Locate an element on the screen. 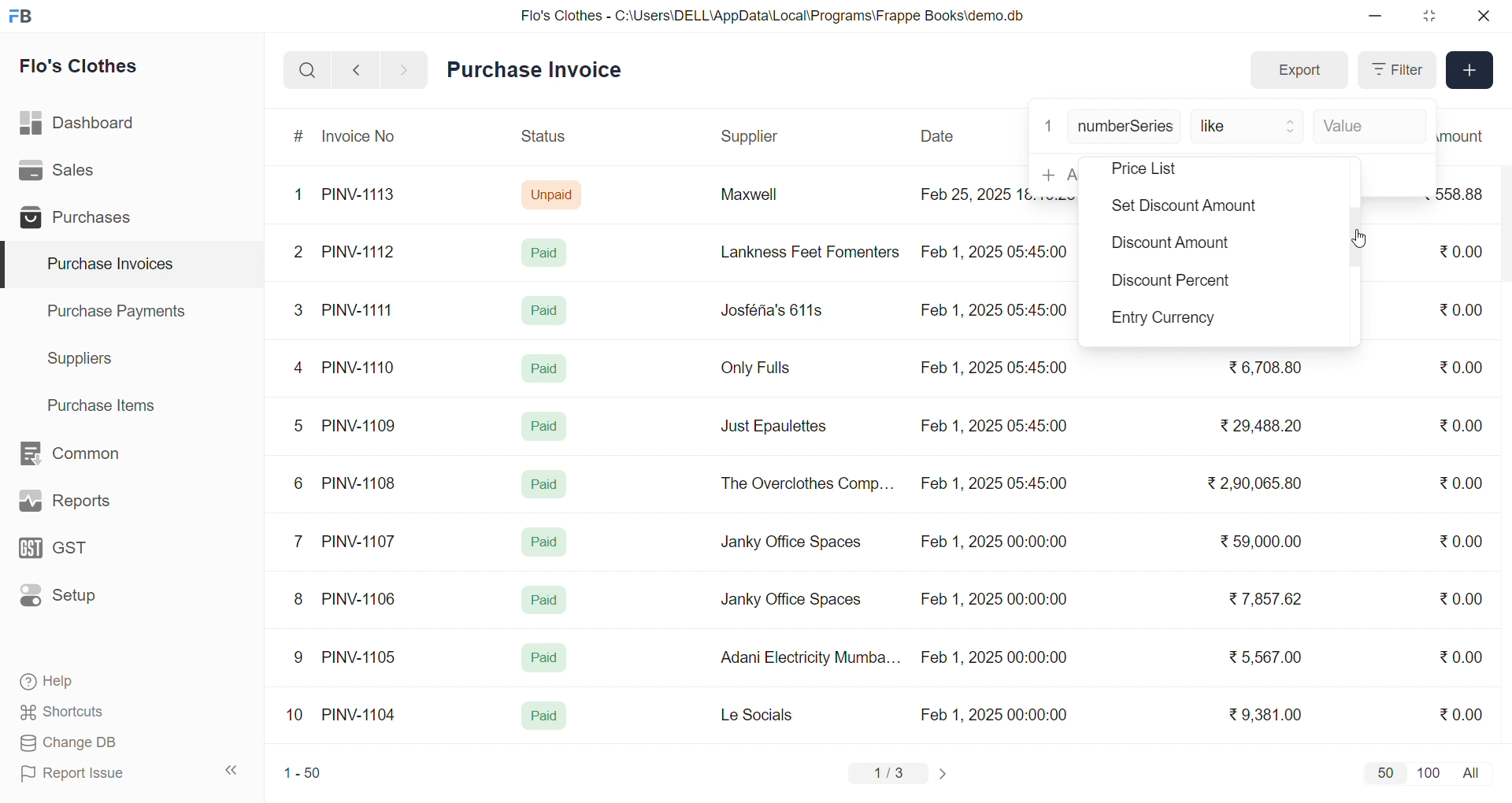  ₹9,381.00 is located at coordinates (1266, 715).